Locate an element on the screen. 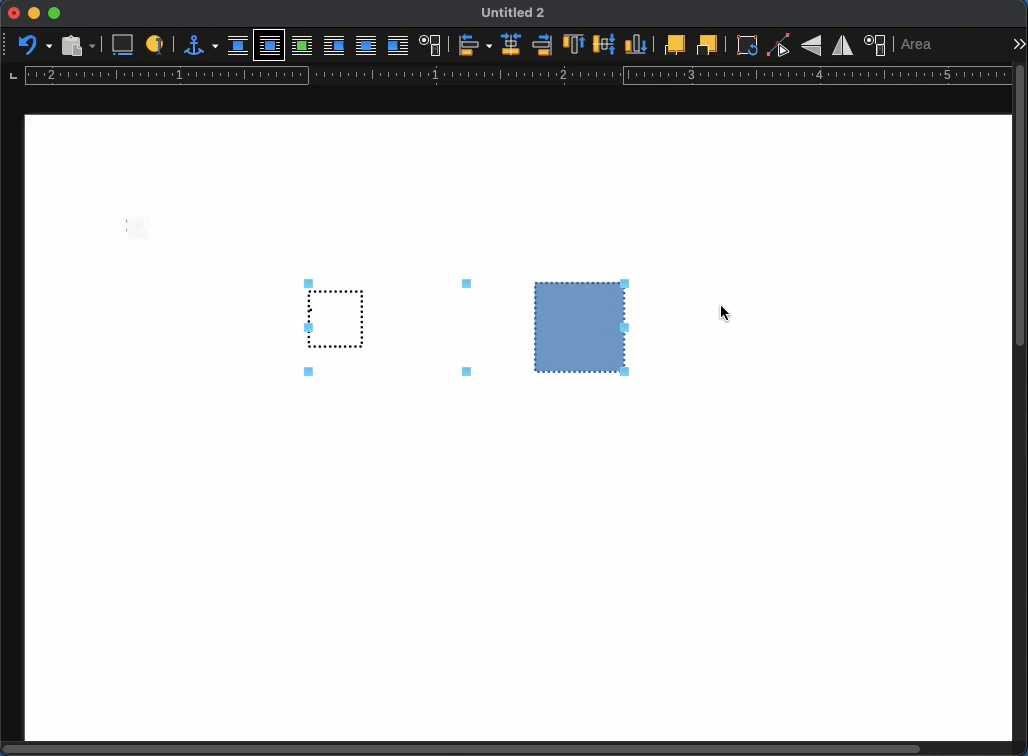 The image size is (1028, 756). insert caption is located at coordinates (123, 45).